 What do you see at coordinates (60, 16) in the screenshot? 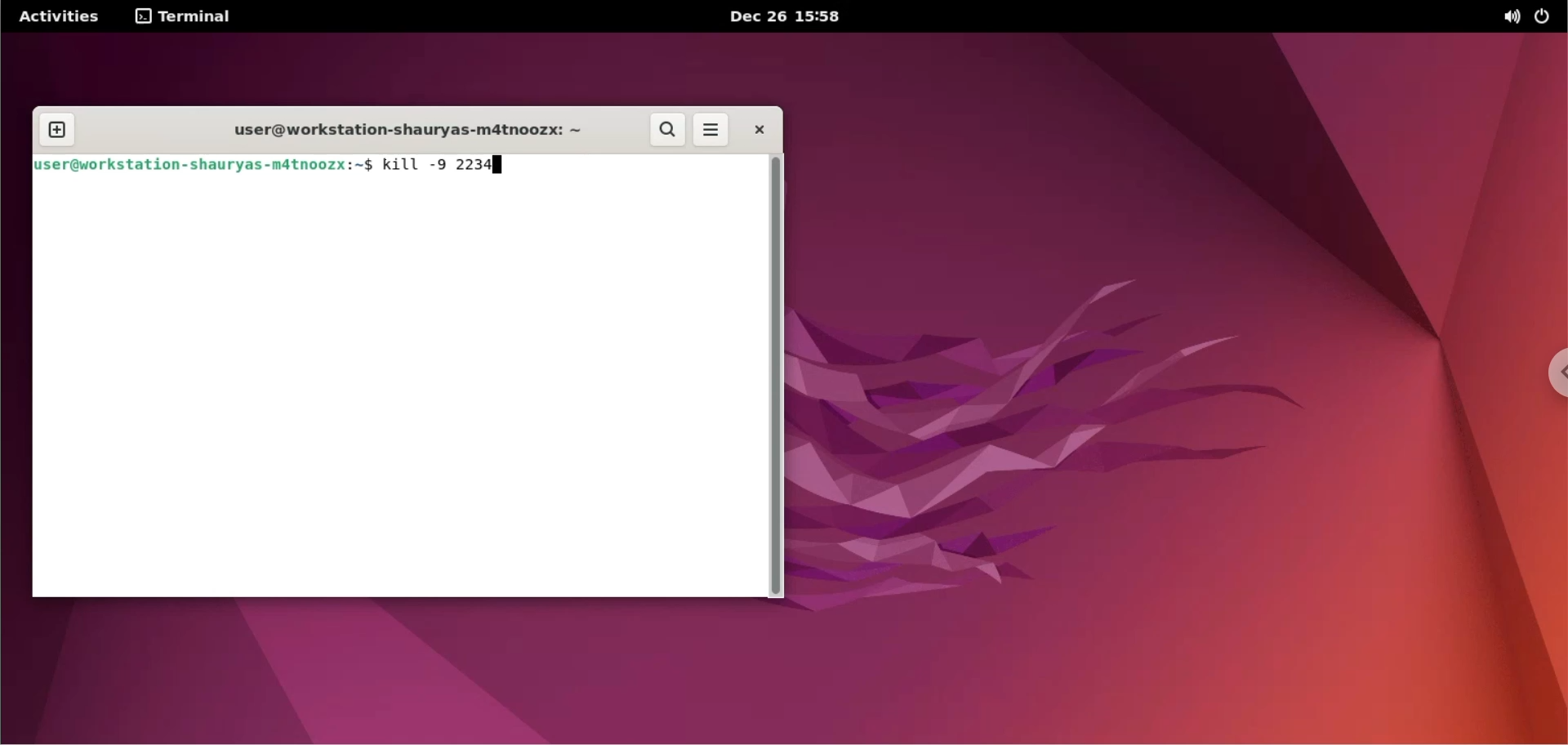
I see `Activities` at bounding box center [60, 16].